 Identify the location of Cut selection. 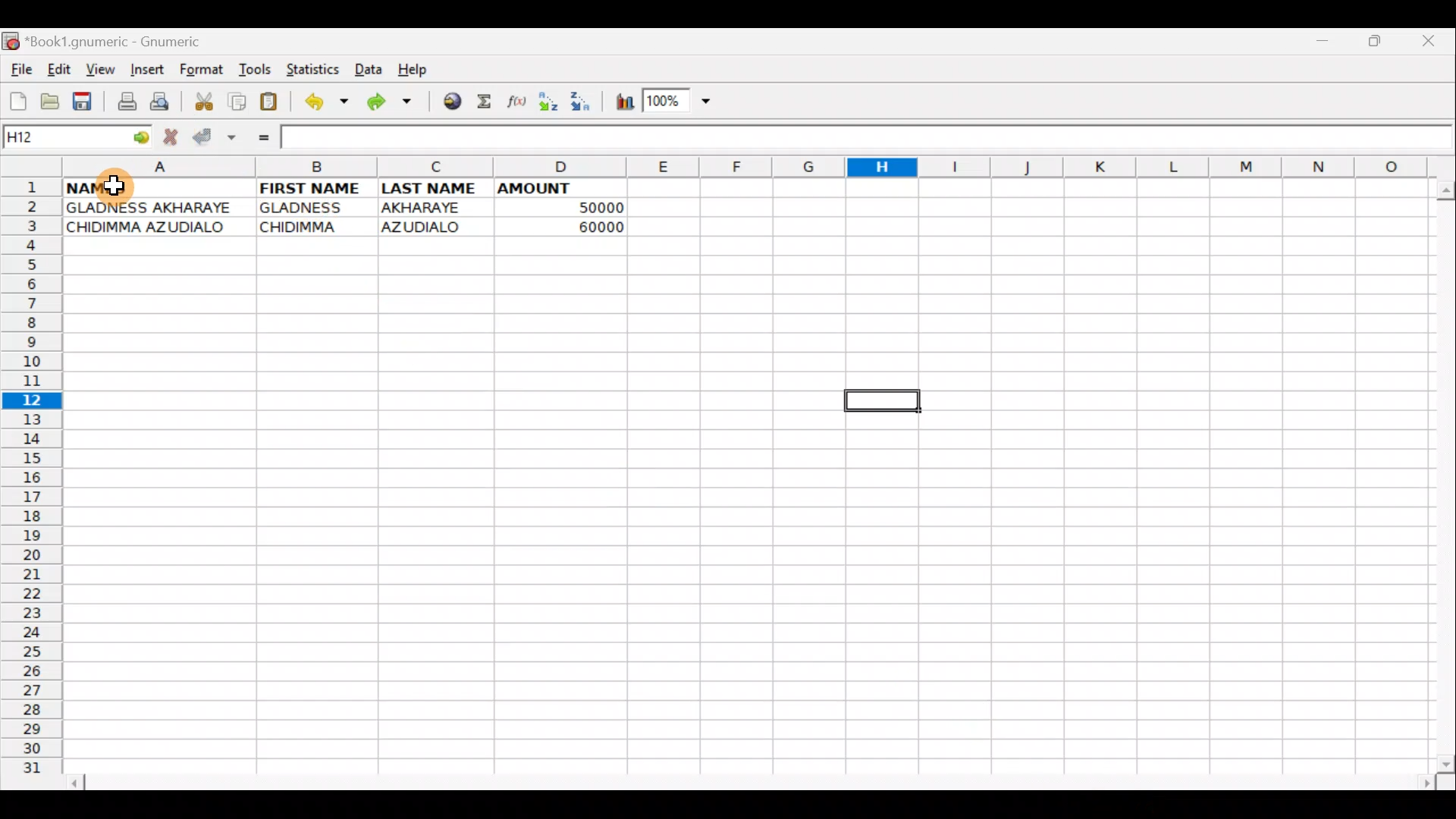
(208, 104).